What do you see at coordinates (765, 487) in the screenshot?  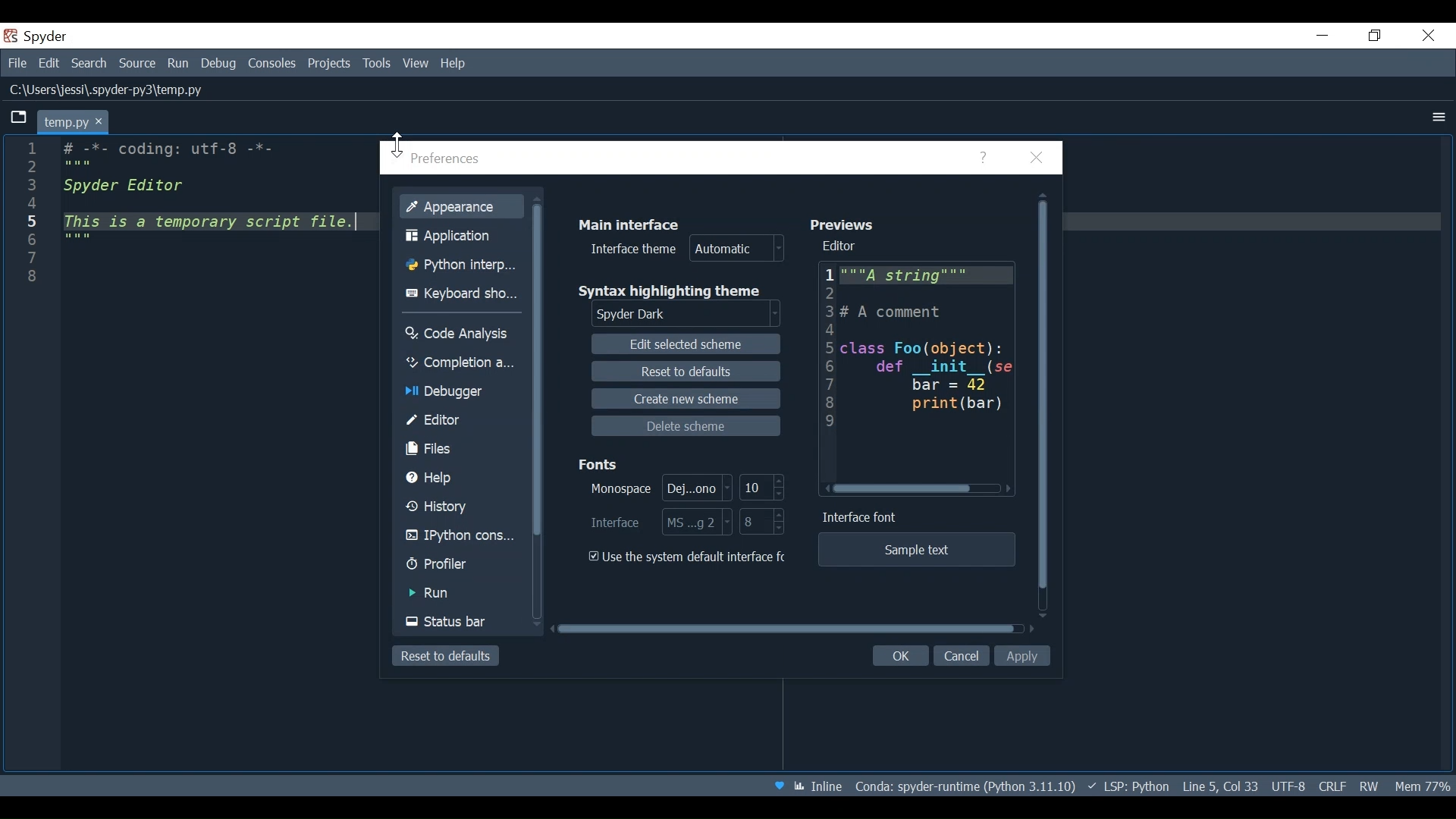 I see `Adjust Monospace Font Size` at bounding box center [765, 487].